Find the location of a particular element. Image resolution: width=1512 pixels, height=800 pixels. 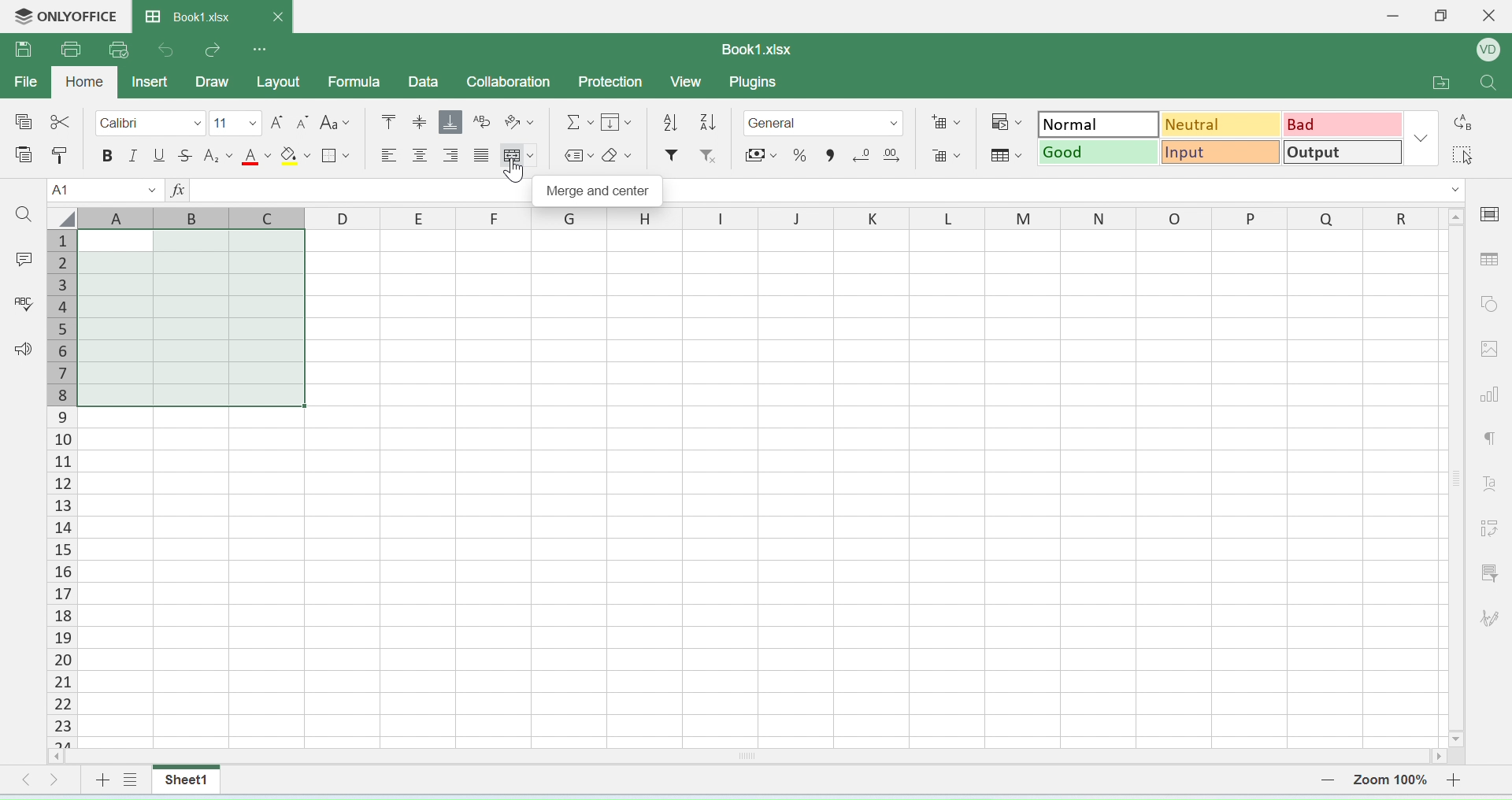

paste is located at coordinates (26, 157).